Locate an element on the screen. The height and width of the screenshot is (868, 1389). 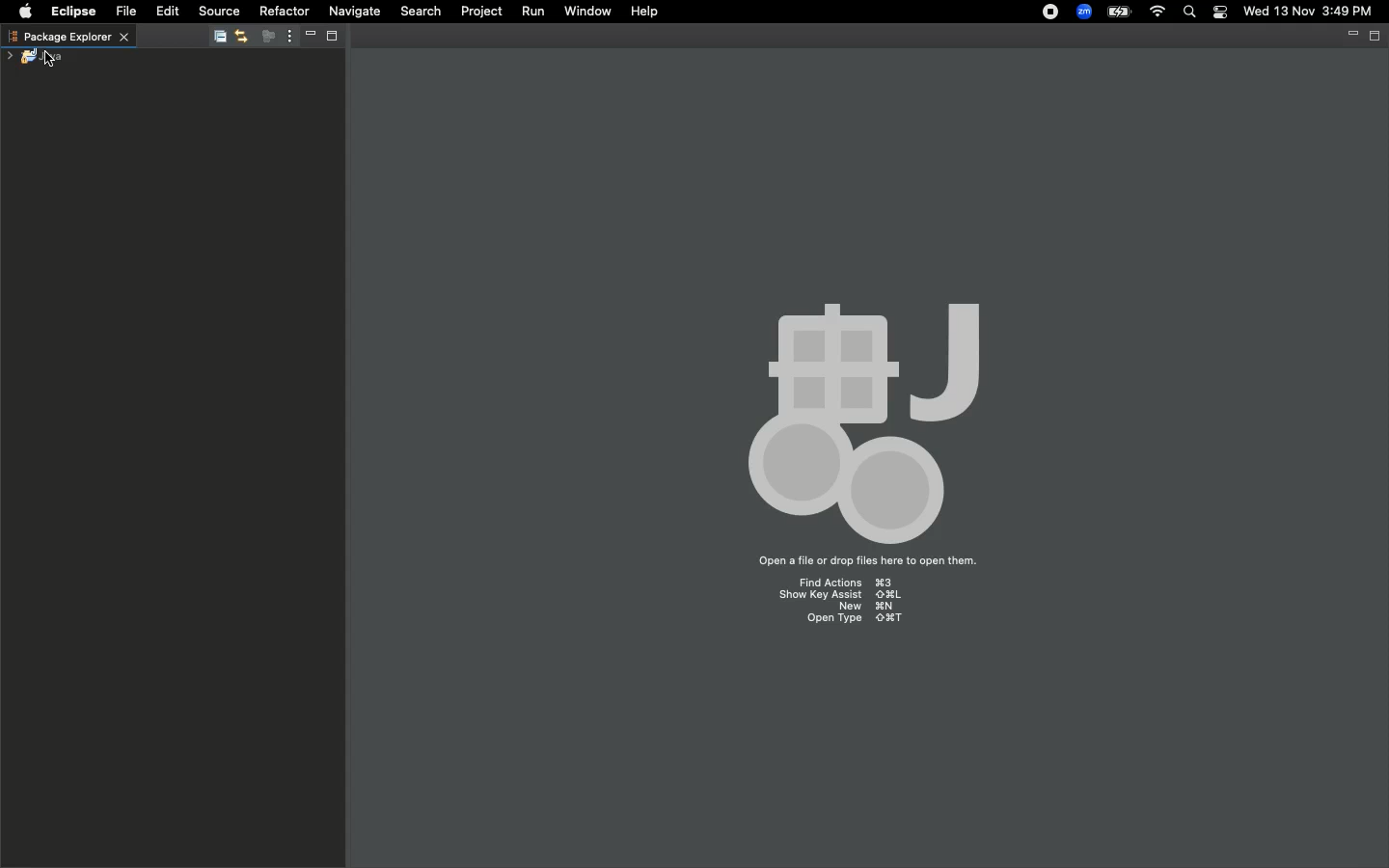
Help is located at coordinates (643, 12).